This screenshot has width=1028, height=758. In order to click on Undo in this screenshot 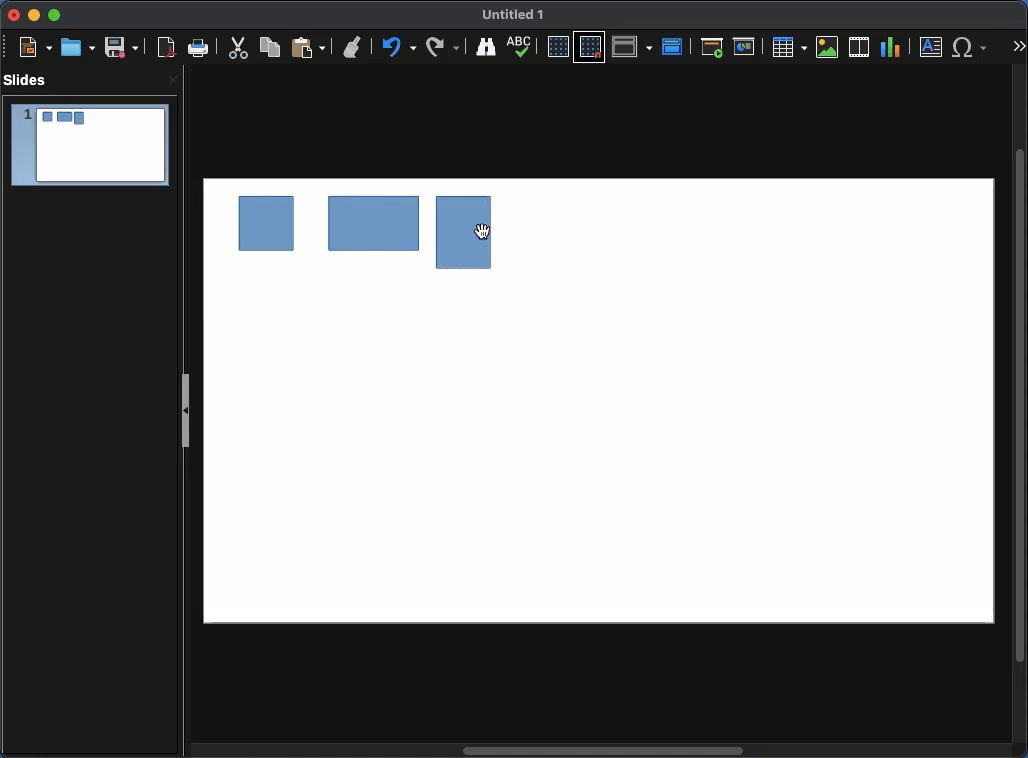, I will do `click(352, 43)`.